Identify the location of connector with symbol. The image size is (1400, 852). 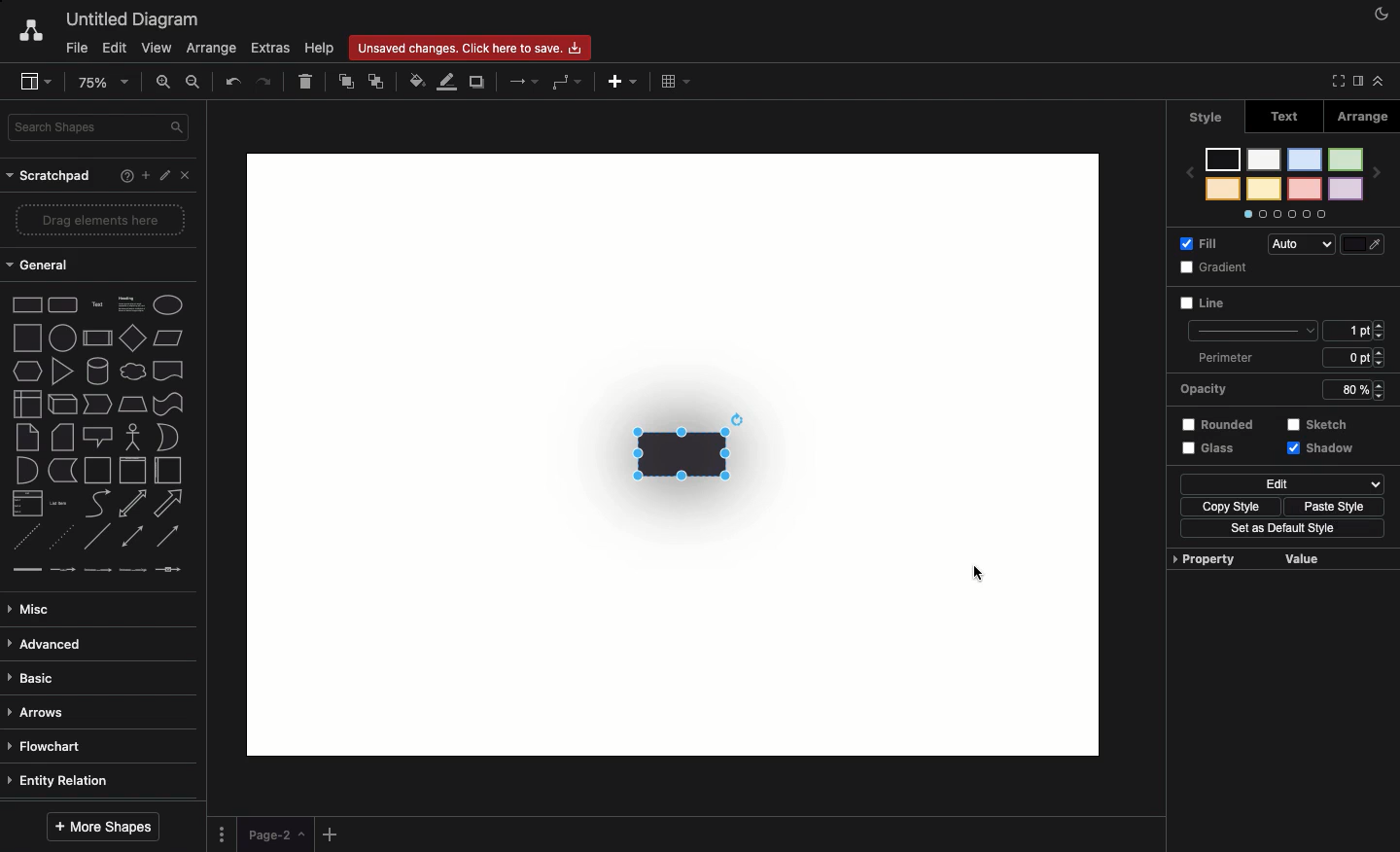
(171, 572).